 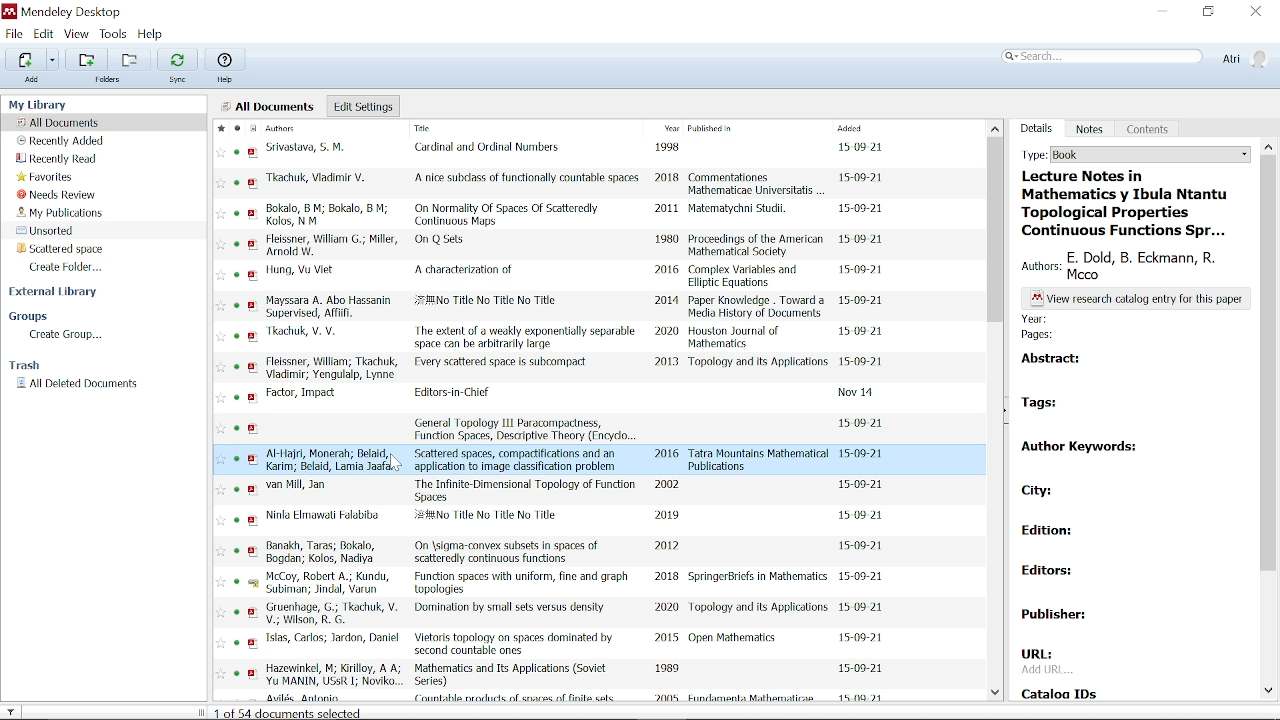 What do you see at coordinates (1132, 155) in the screenshot?
I see `Type of the current folder` at bounding box center [1132, 155].